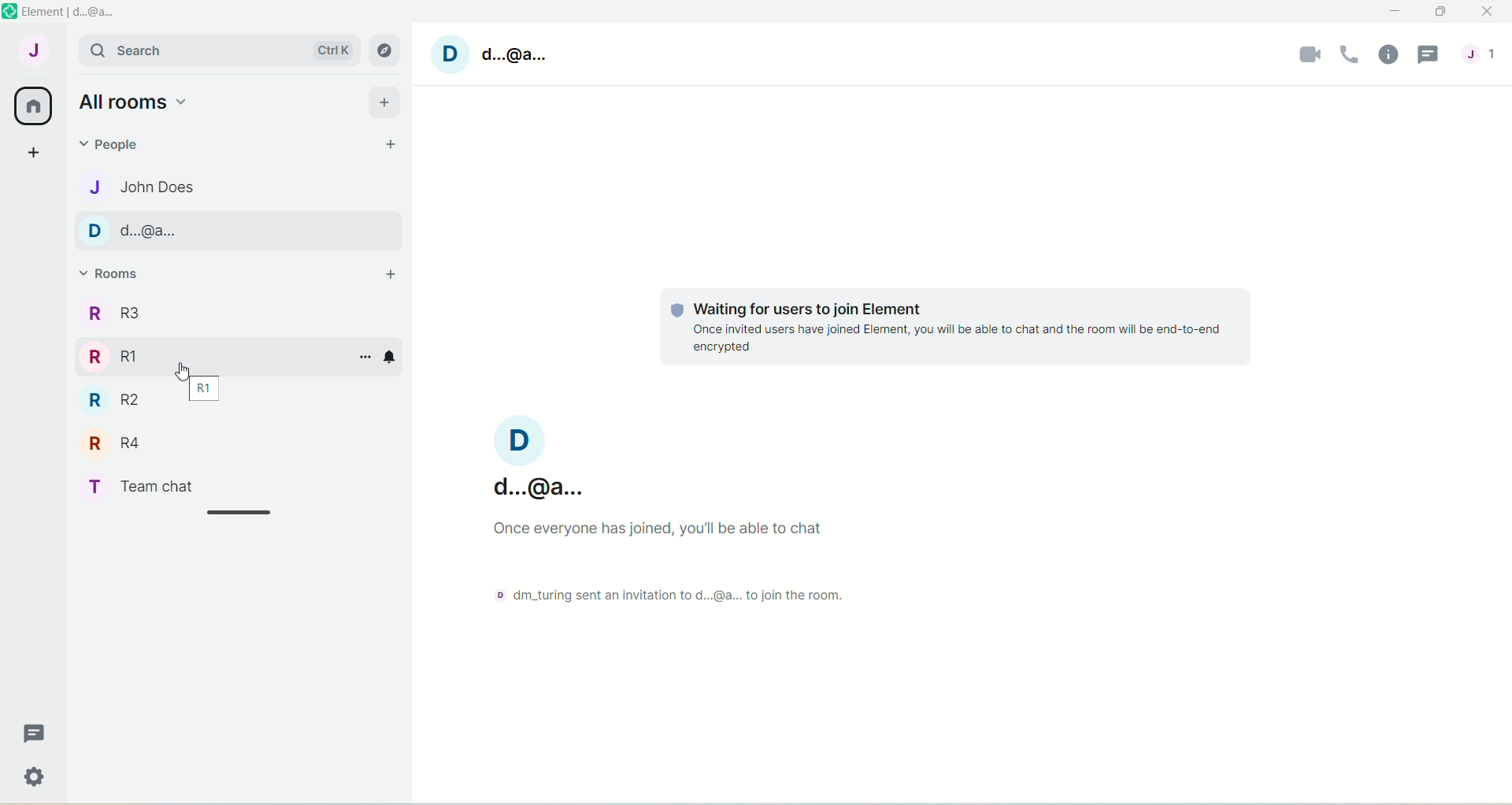 This screenshot has height=805, width=1512. What do you see at coordinates (114, 401) in the screenshot?
I see `R R2` at bounding box center [114, 401].